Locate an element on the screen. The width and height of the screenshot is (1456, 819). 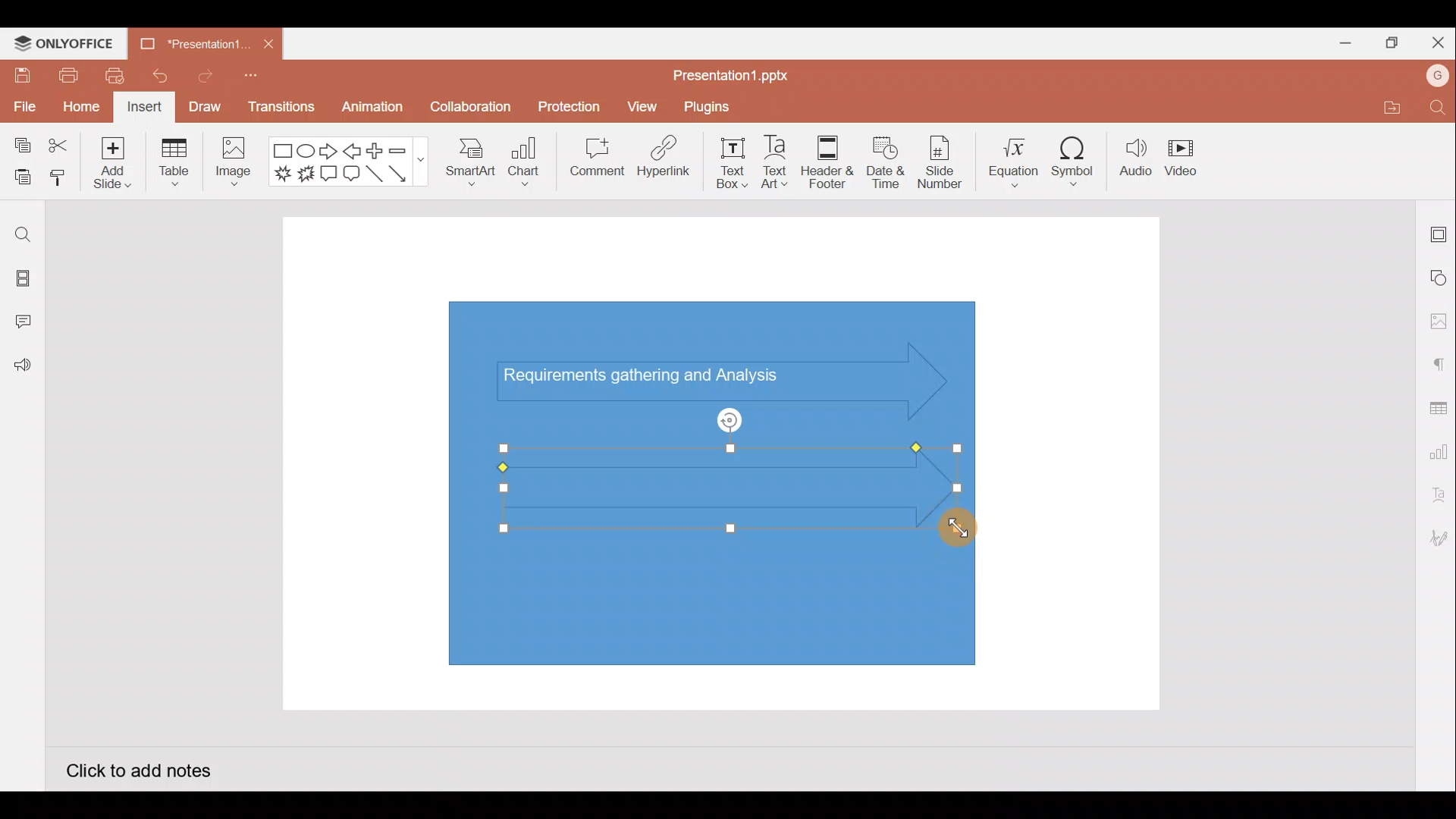
Undo is located at coordinates (154, 76).